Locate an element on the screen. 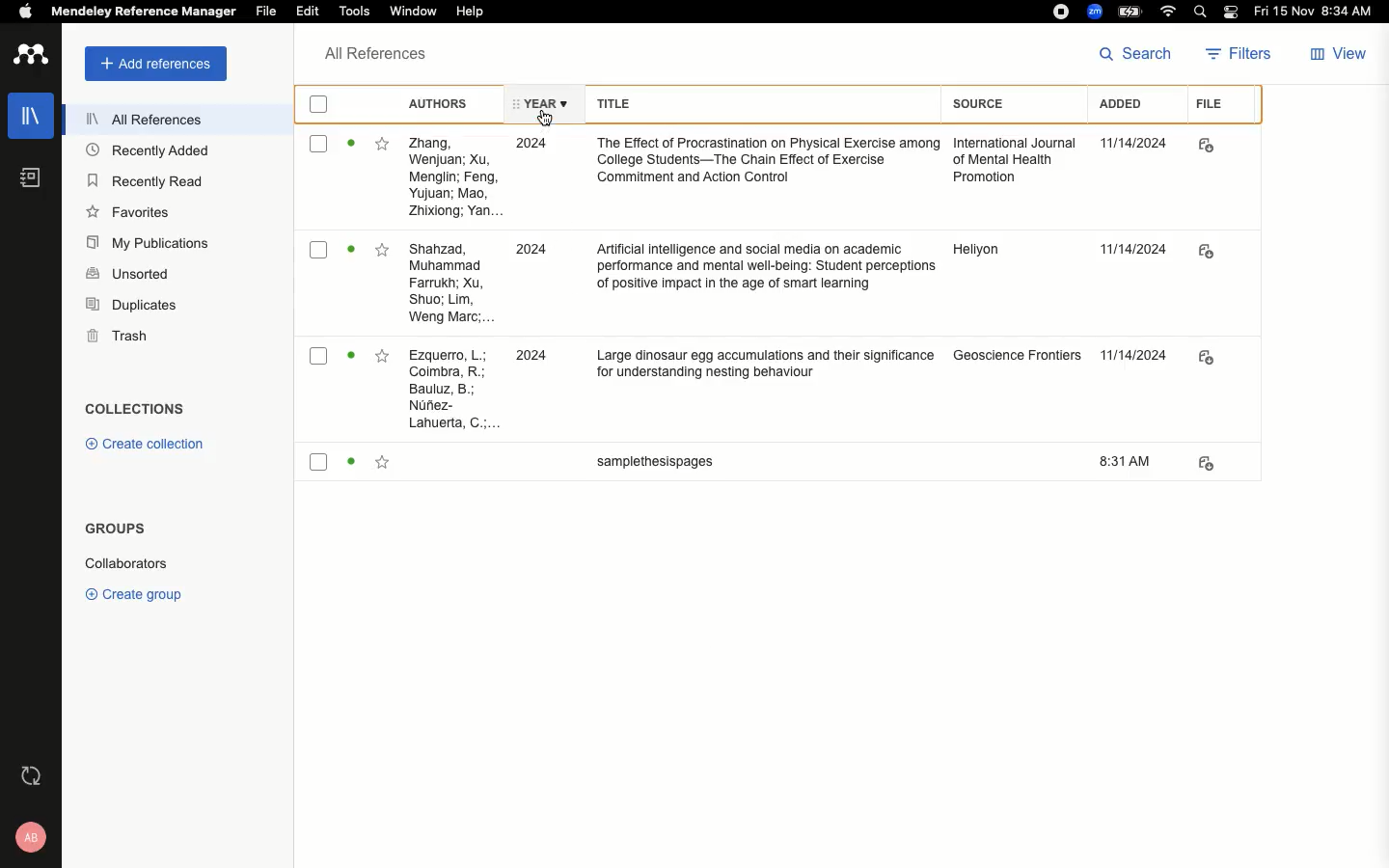 The width and height of the screenshot is (1389, 868). file type is located at coordinates (1218, 145).